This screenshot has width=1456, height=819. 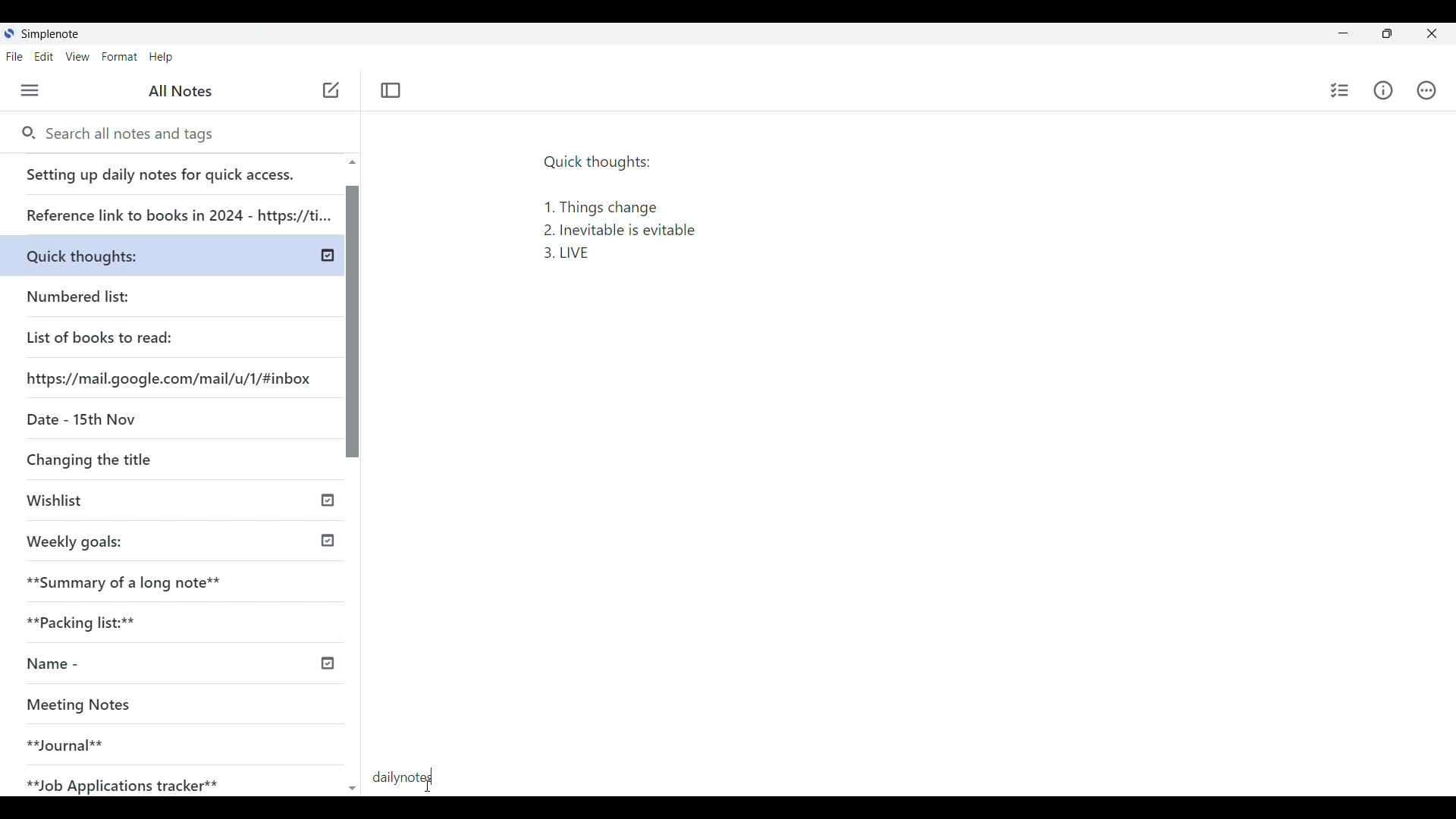 I want to click on Menu, so click(x=30, y=90).